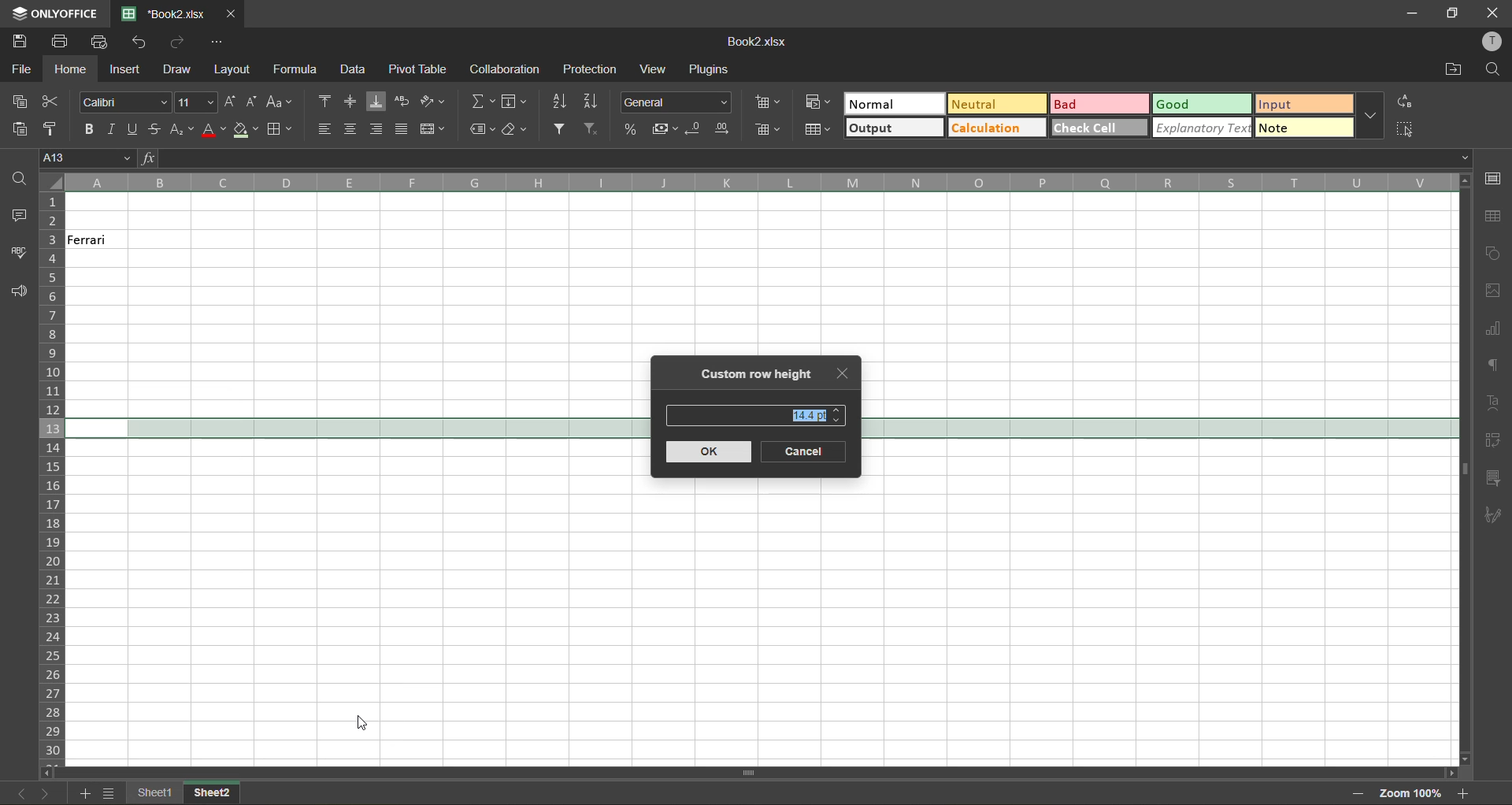 The width and height of the screenshot is (1512, 805). I want to click on previous, so click(16, 791).